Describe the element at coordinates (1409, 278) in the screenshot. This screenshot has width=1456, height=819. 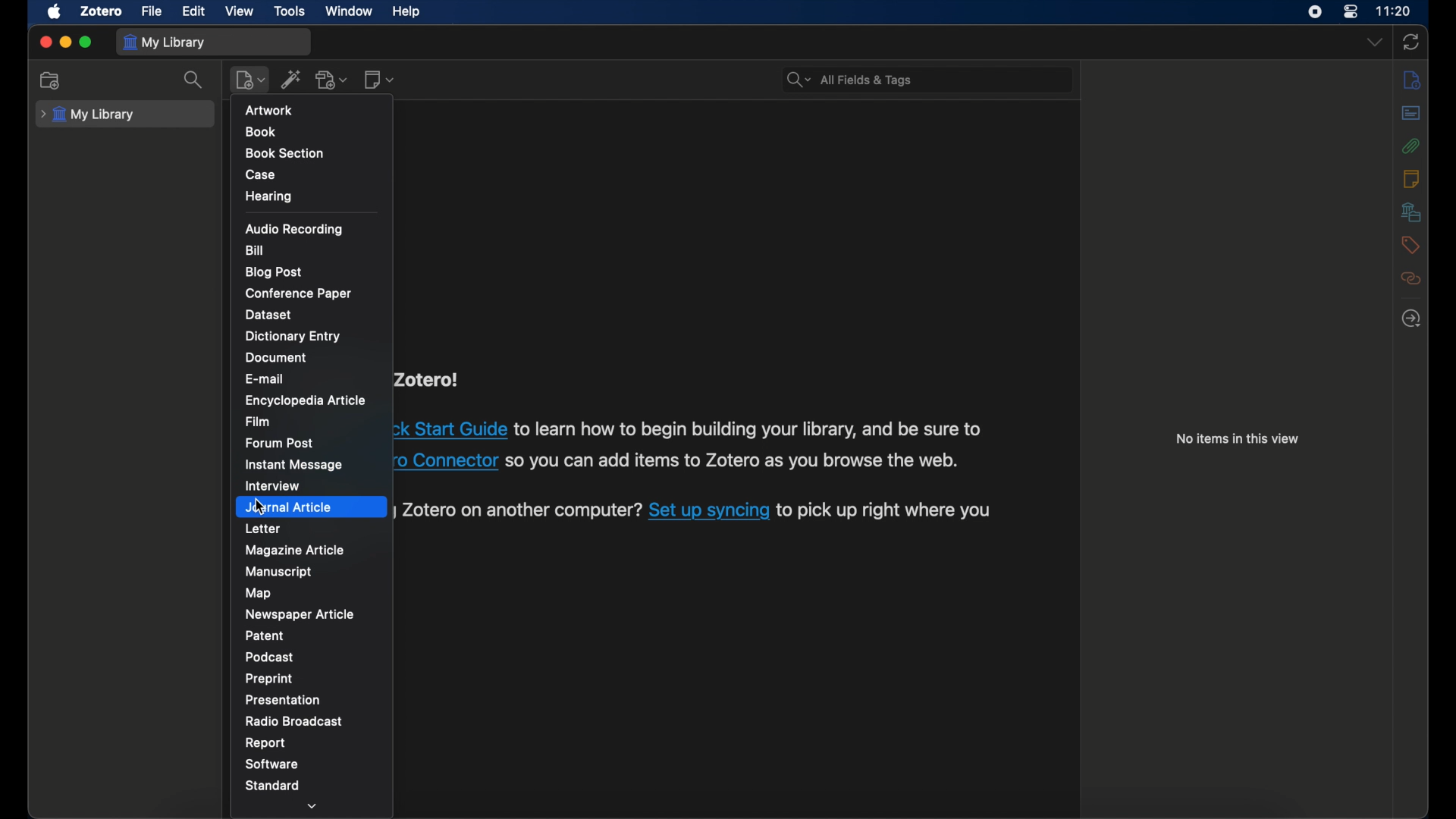
I see `related` at that location.